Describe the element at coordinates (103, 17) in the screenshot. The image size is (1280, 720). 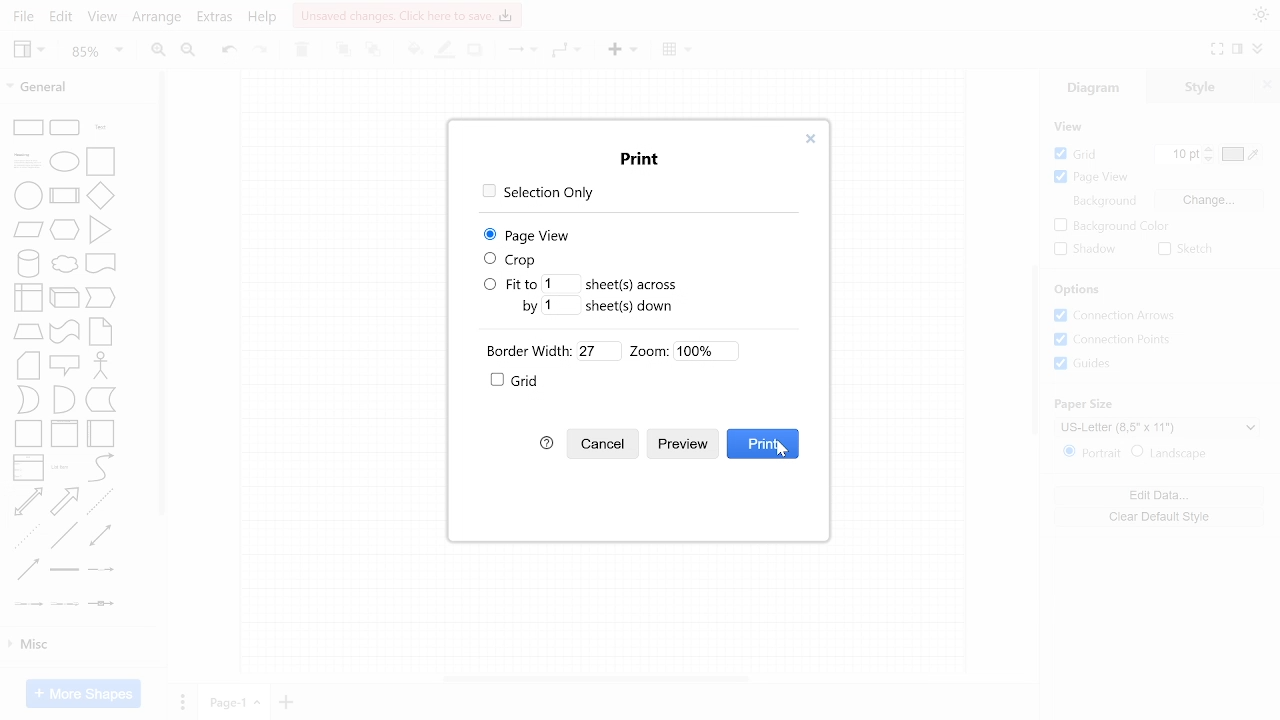
I see `View` at that location.